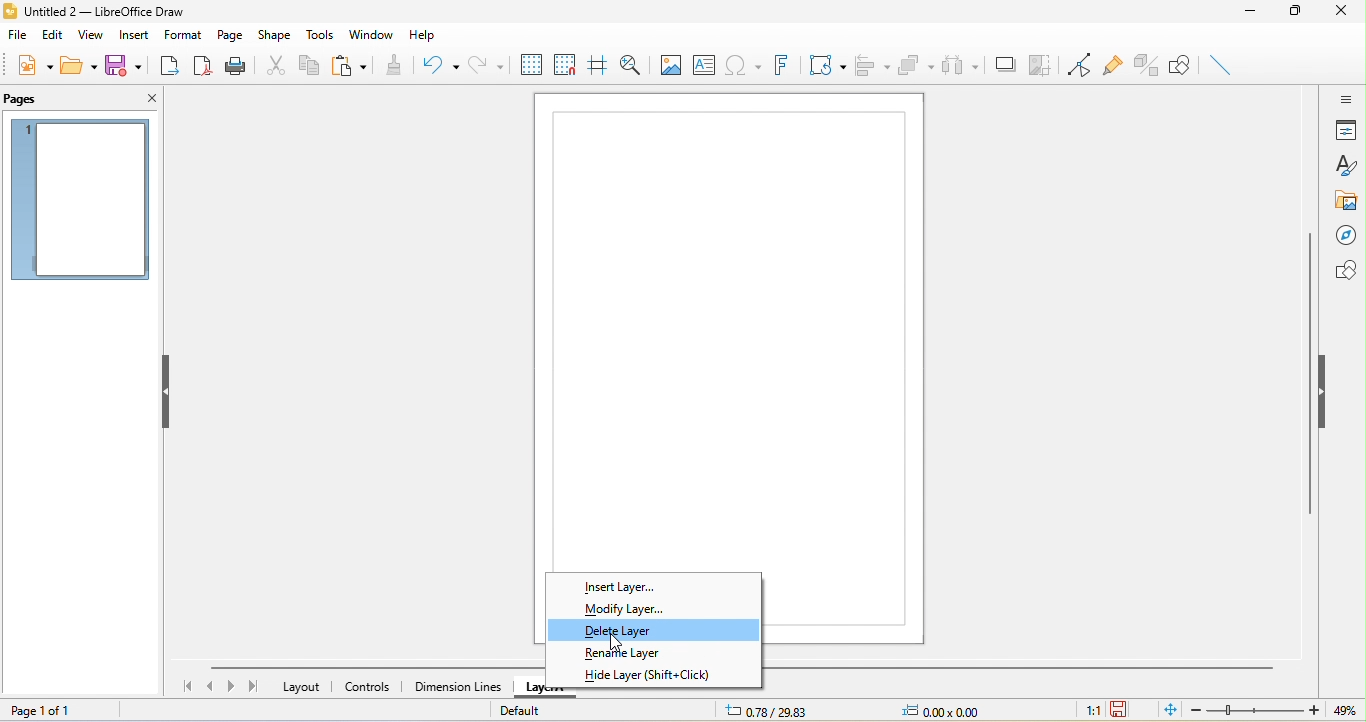  I want to click on toggle extrusion, so click(1228, 64).